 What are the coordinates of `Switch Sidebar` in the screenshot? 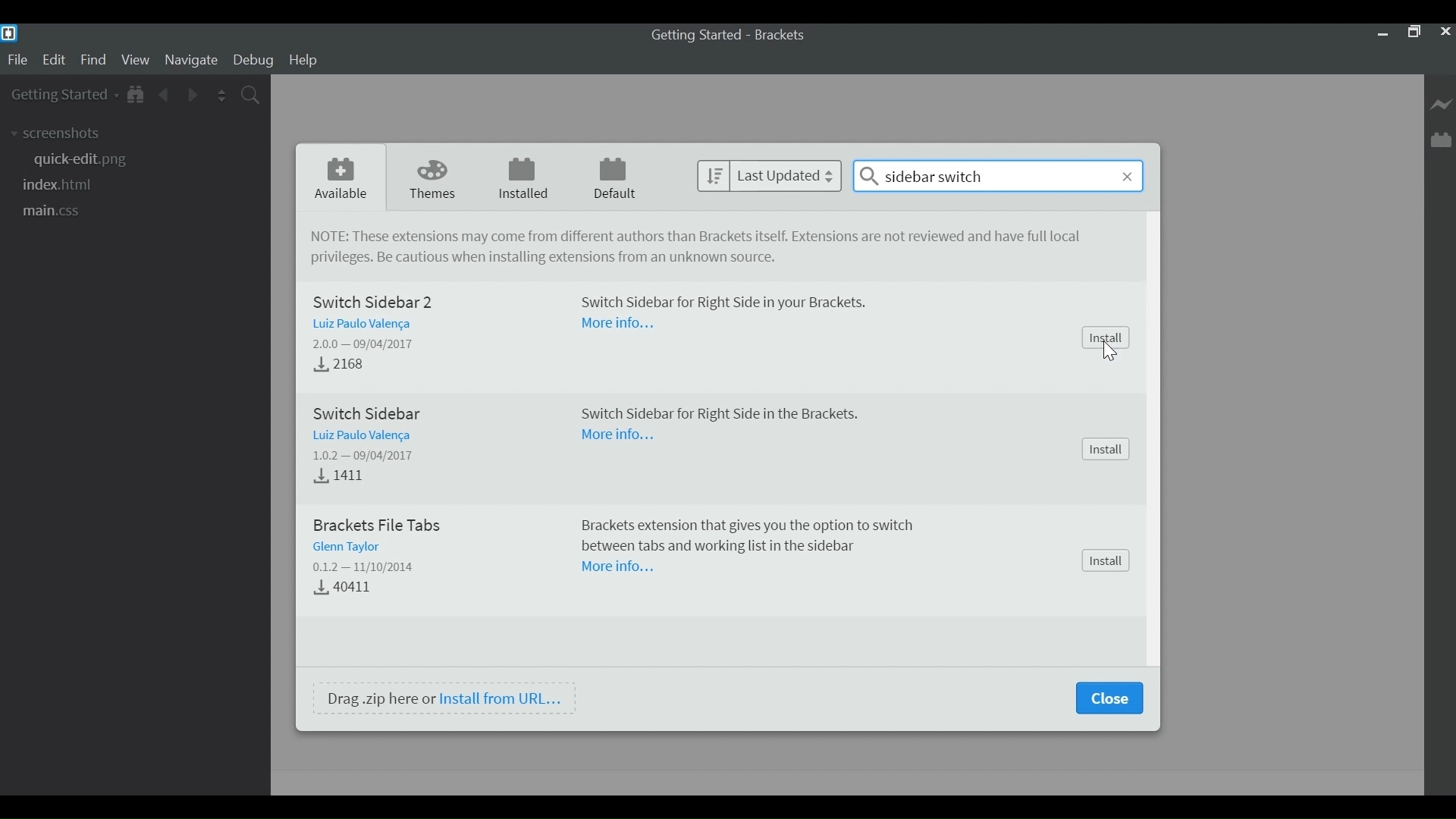 It's located at (368, 413).